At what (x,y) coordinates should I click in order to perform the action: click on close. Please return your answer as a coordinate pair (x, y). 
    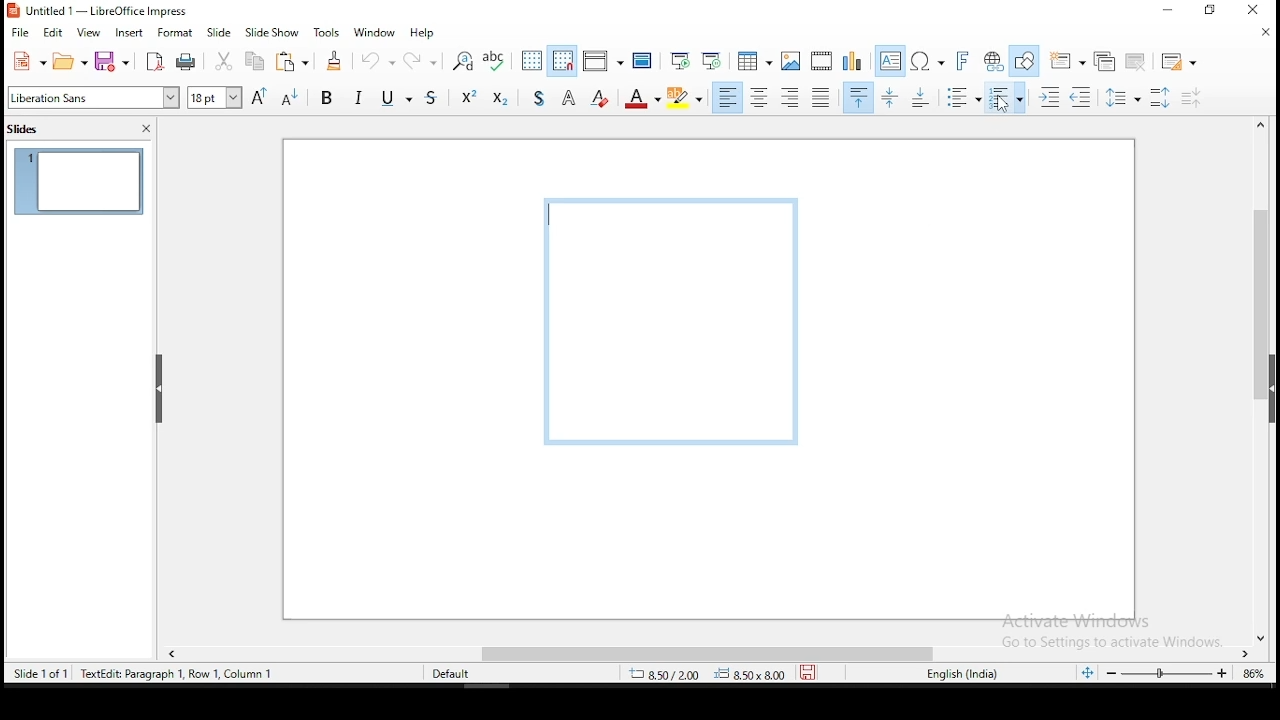
    Looking at the image, I should click on (1260, 34).